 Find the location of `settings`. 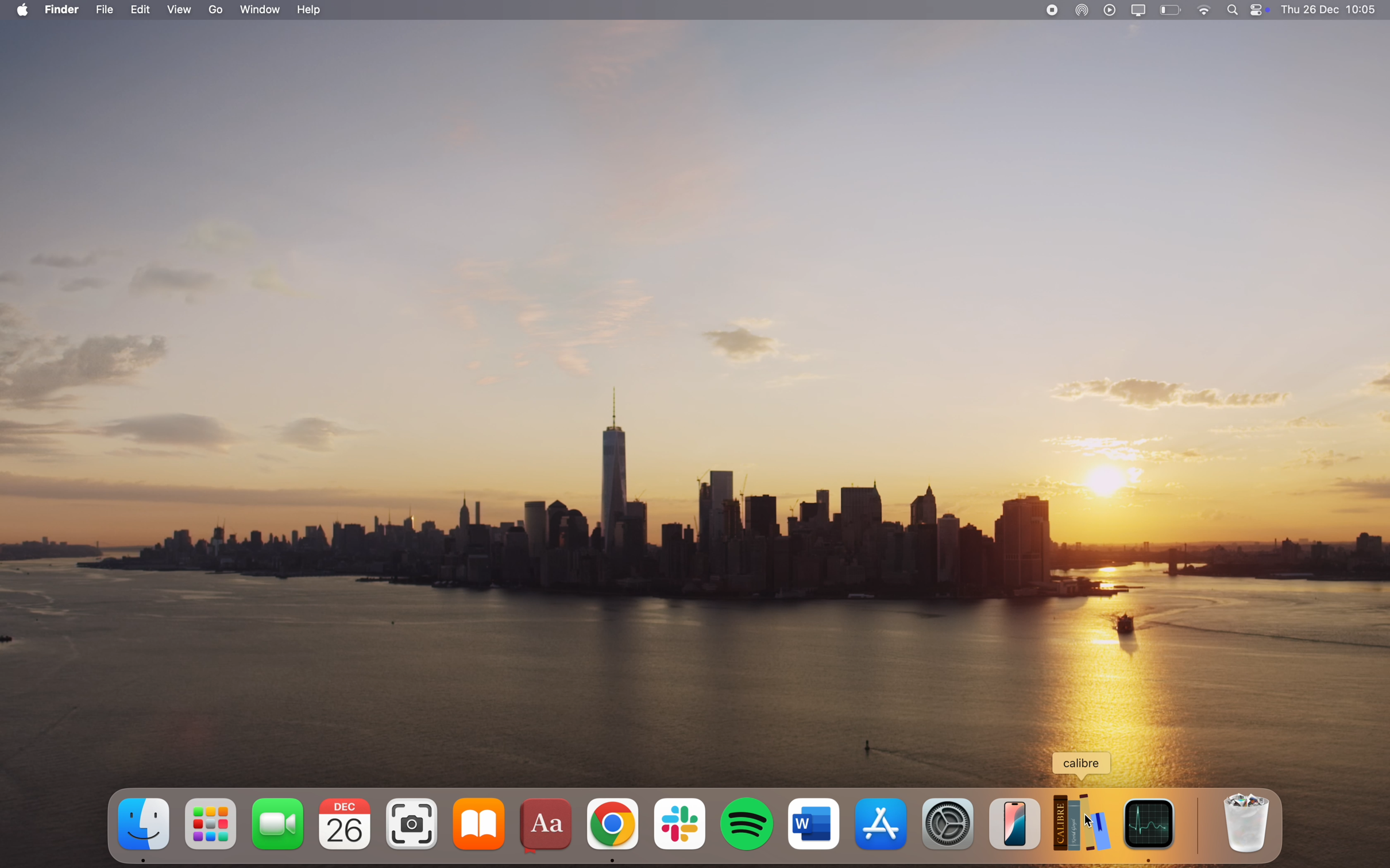

settings is located at coordinates (947, 824).